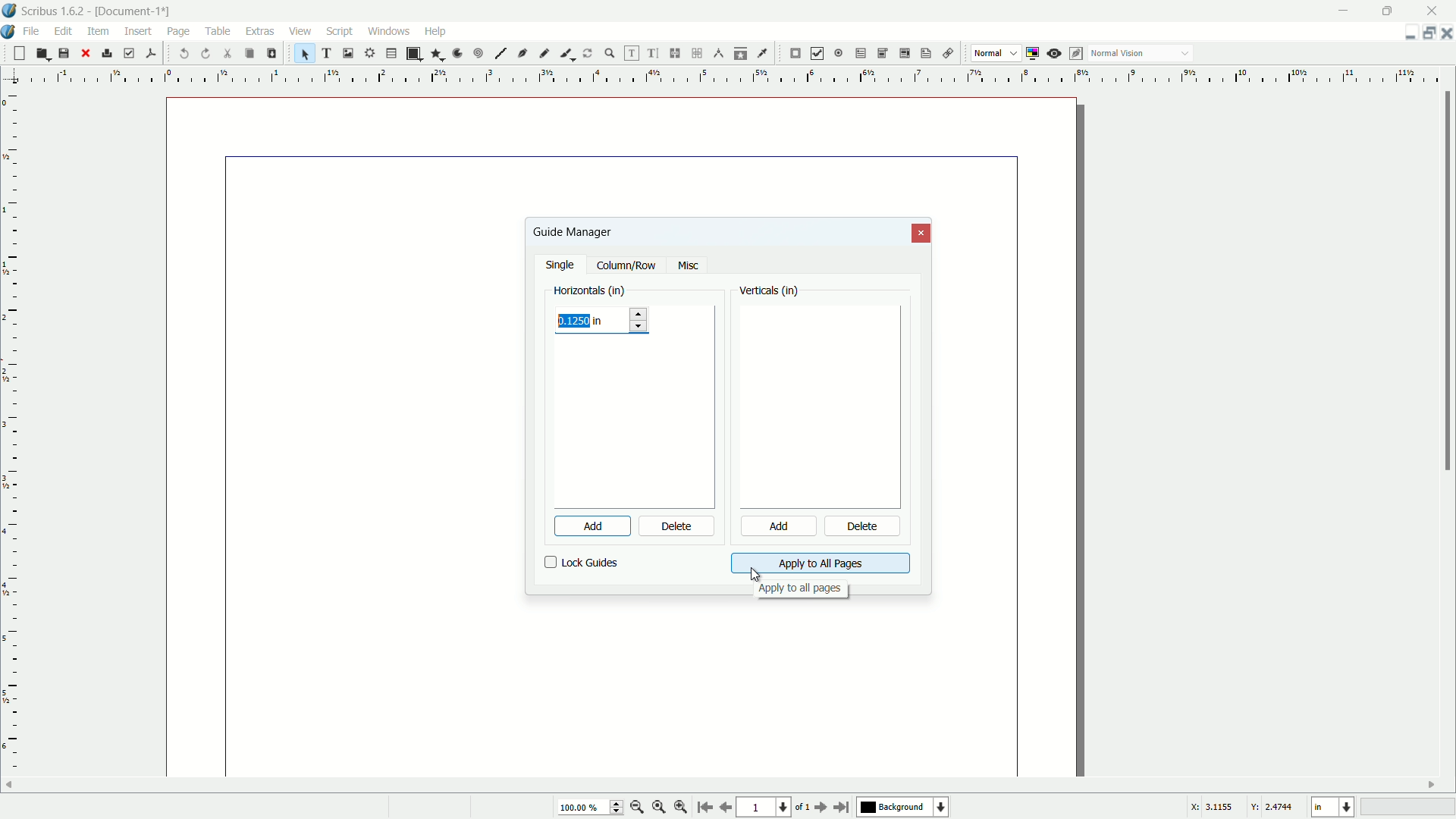 This screenshot has width=1456, height=819. Describe the element at coordinates (562, 266) in the screenshot. I see `single` at that location.